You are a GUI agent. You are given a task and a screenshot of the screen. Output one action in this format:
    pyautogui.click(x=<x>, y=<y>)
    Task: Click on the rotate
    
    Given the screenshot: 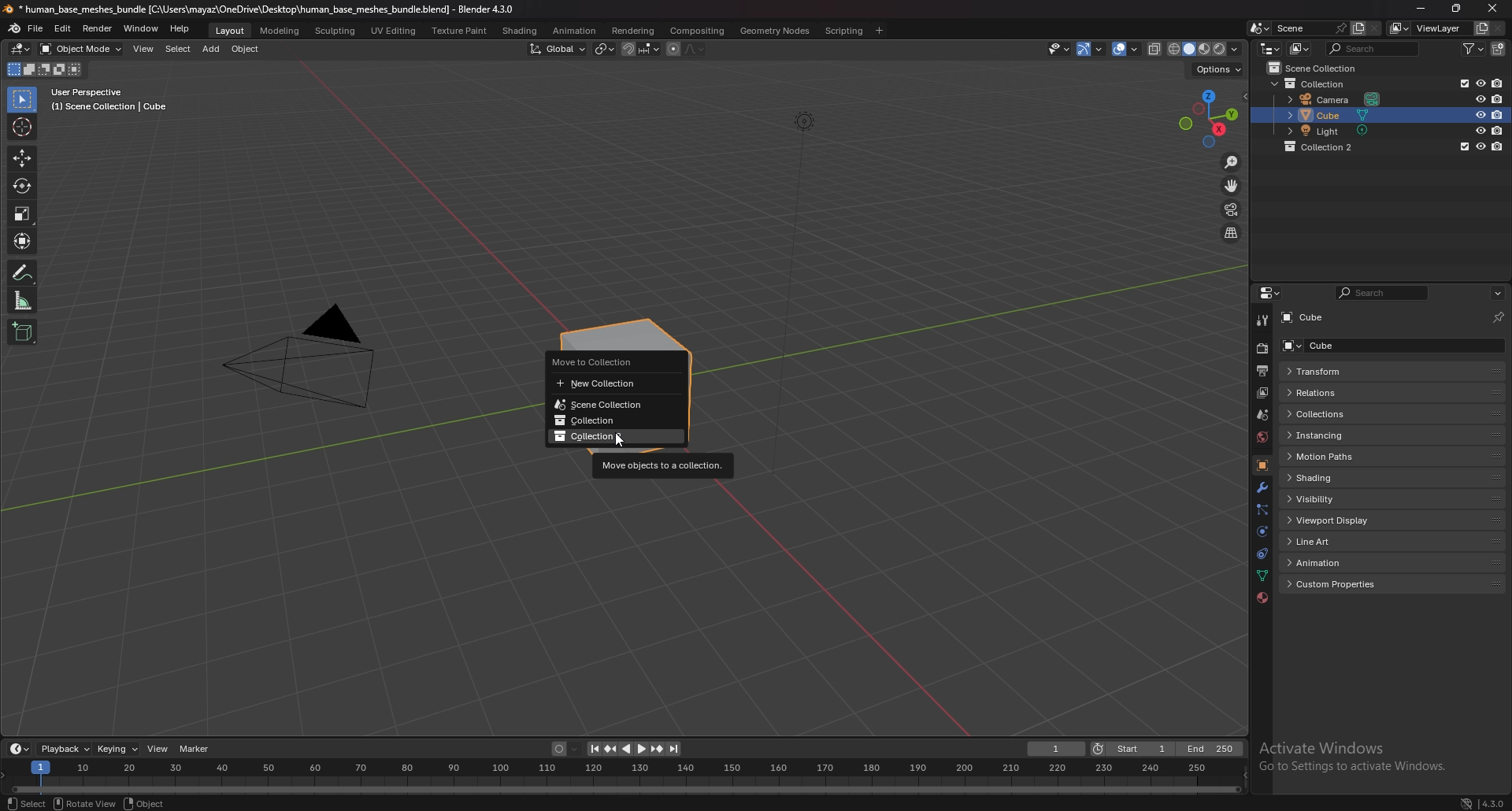 What is the action you would take?
    pyautogui.click(x=23, y=185)
    